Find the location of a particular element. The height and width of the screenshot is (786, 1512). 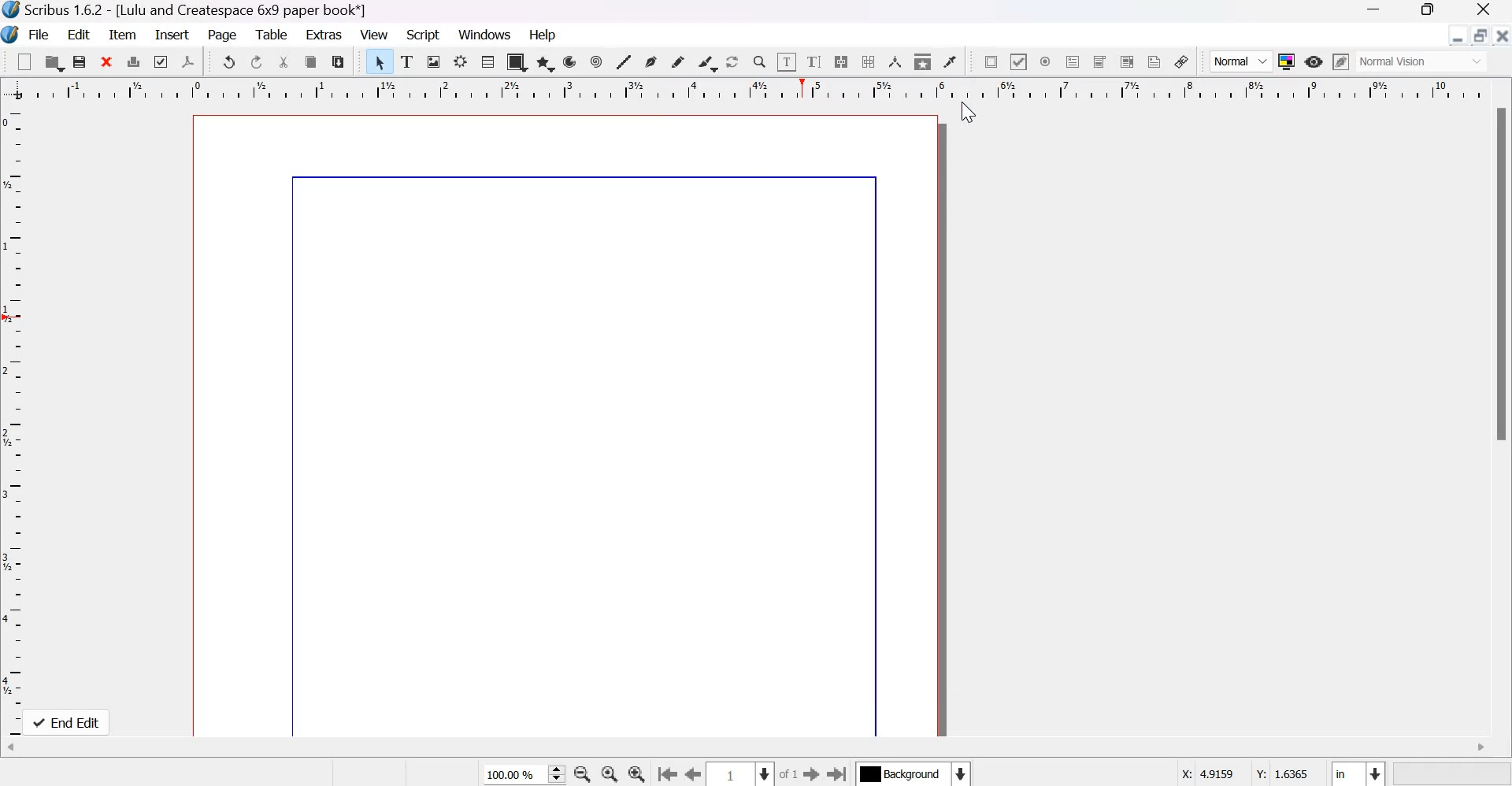

PDF combo box is located at coordinates (1099, 62).